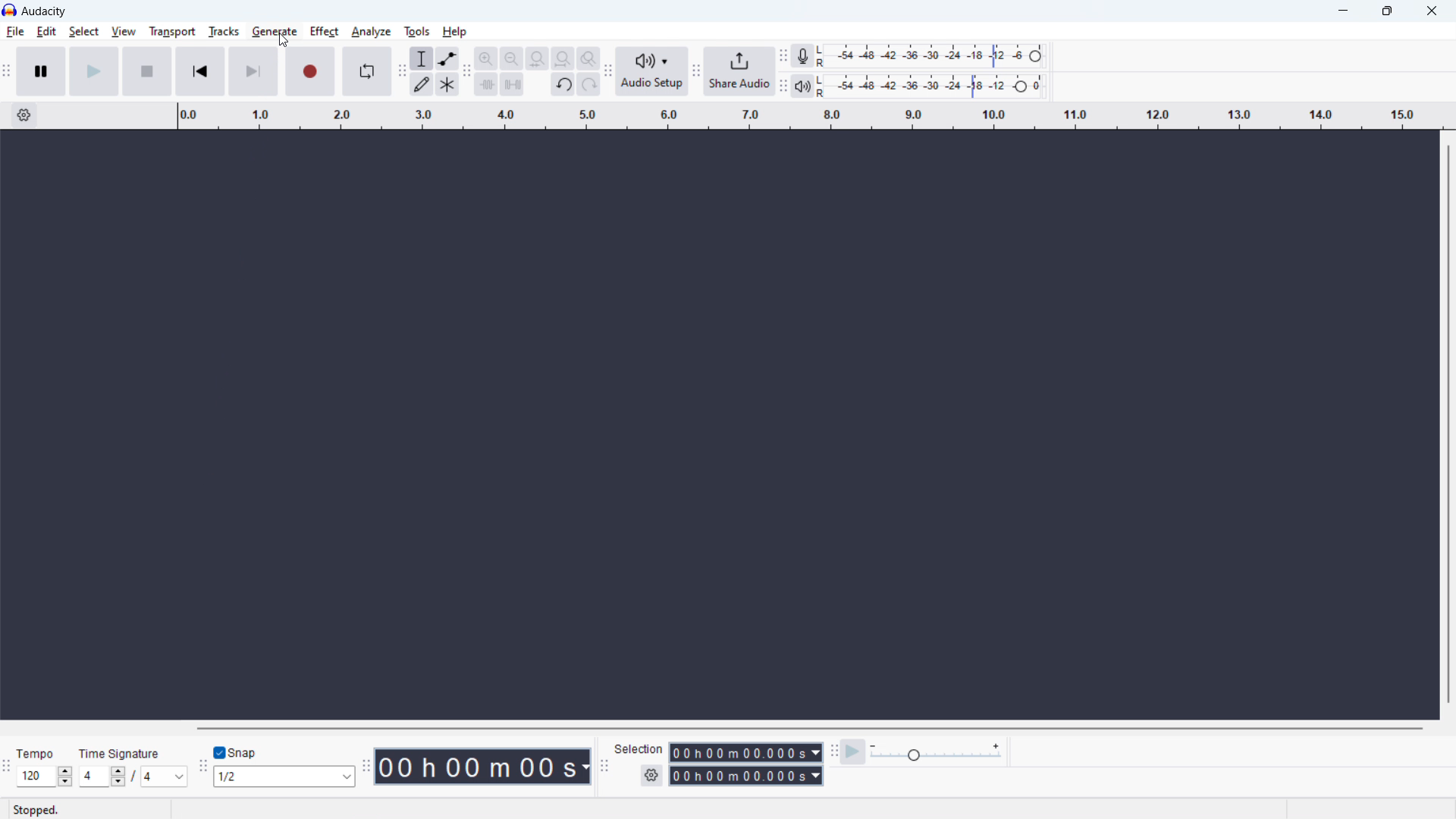  I want to click on select, so click(84, 32).